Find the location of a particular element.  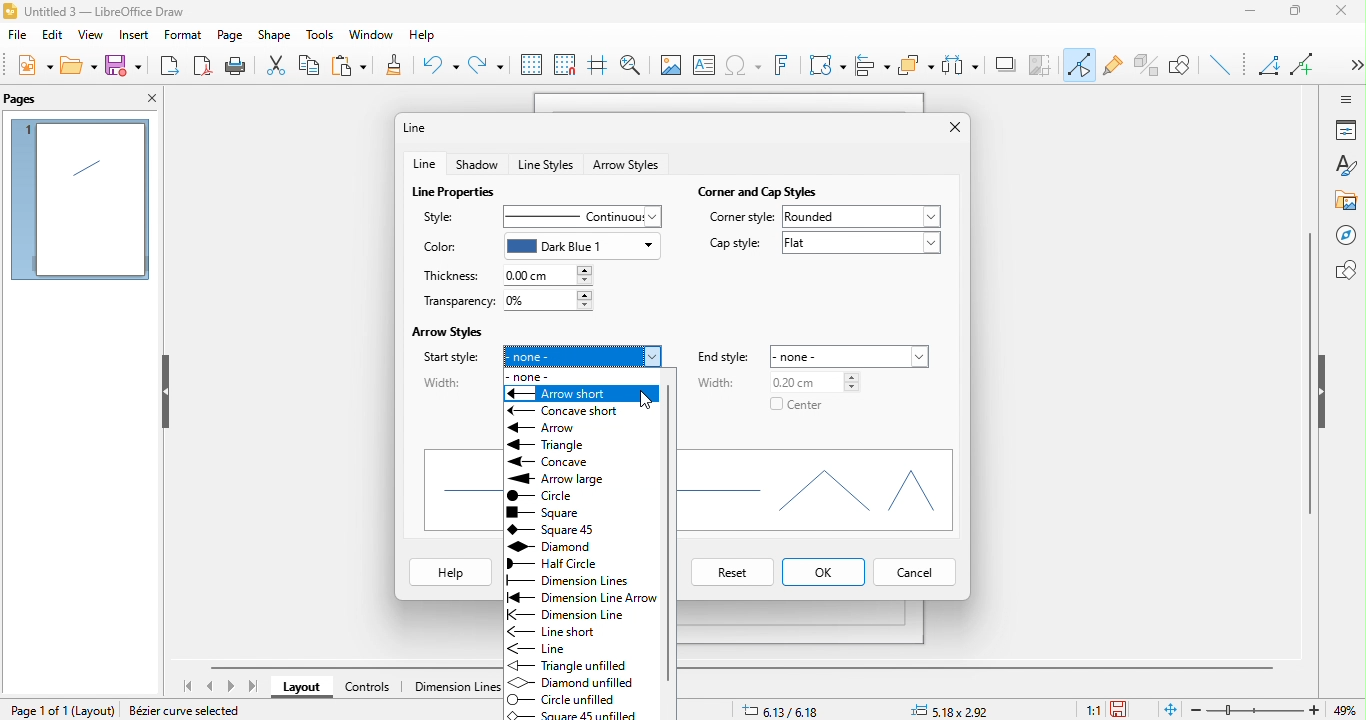

line is located at coordinates (550, 648).